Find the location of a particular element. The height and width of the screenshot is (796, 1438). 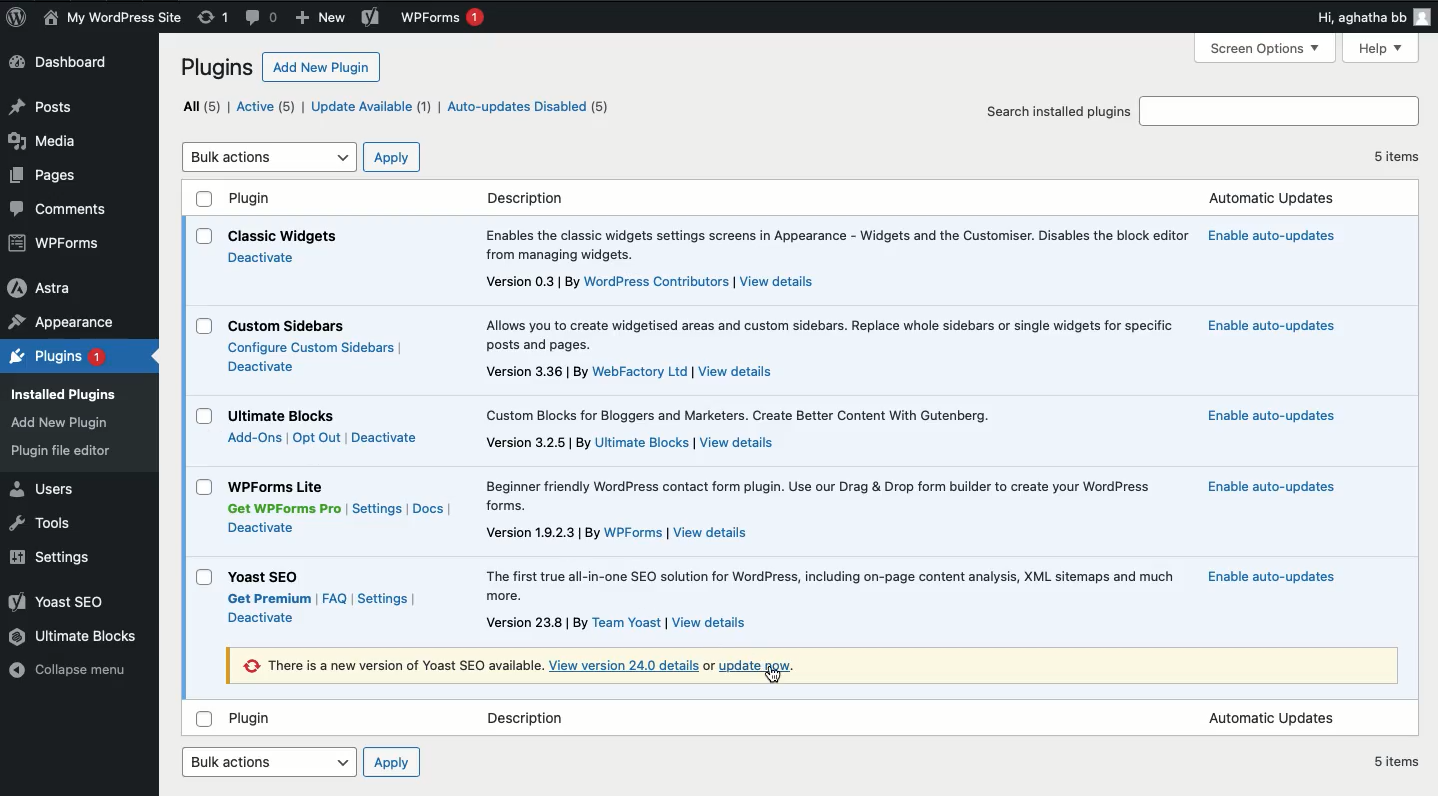

Hi user is located at coordinates (1373, 17).